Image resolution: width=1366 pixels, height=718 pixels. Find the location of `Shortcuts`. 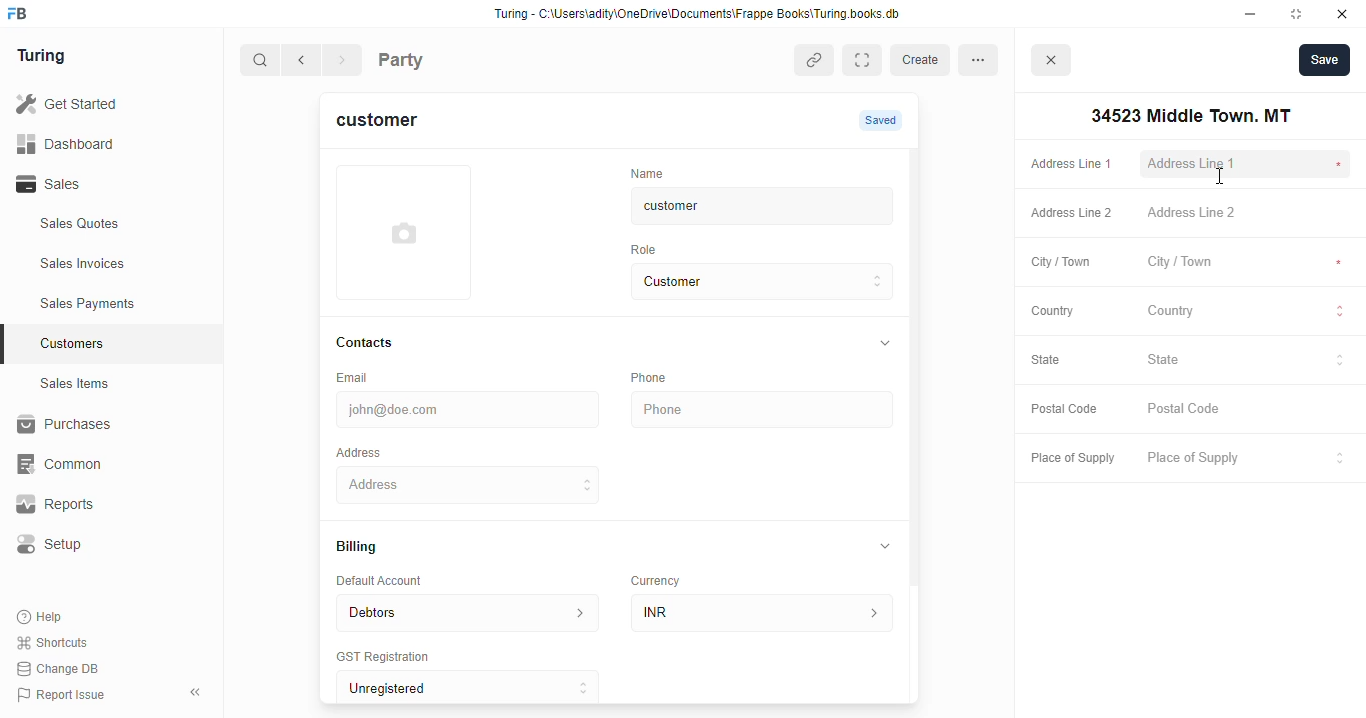

Shortcuts is located at coordinates (58, 643).